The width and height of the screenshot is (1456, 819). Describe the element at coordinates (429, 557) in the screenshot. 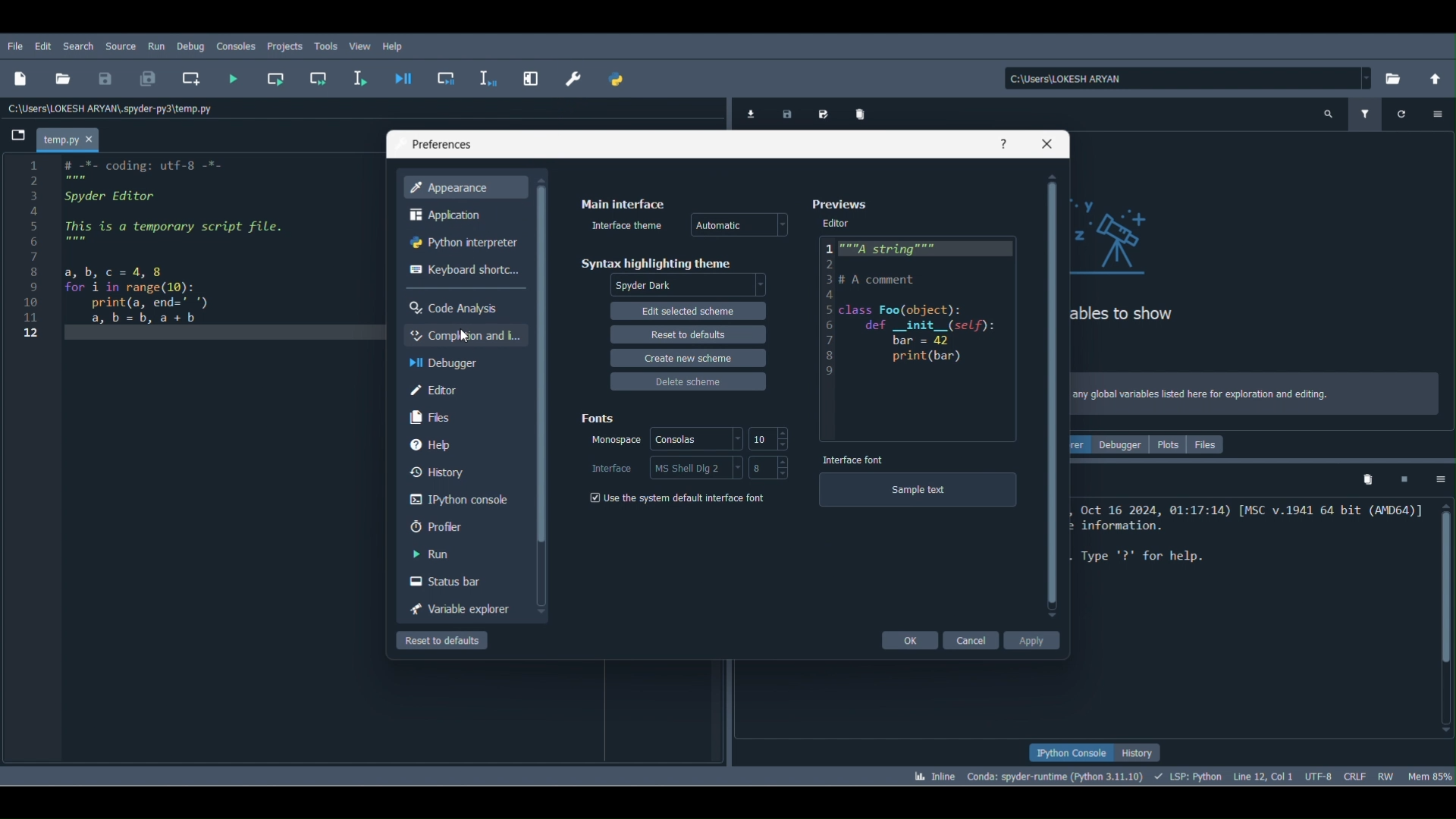

I see `Run` at that location.